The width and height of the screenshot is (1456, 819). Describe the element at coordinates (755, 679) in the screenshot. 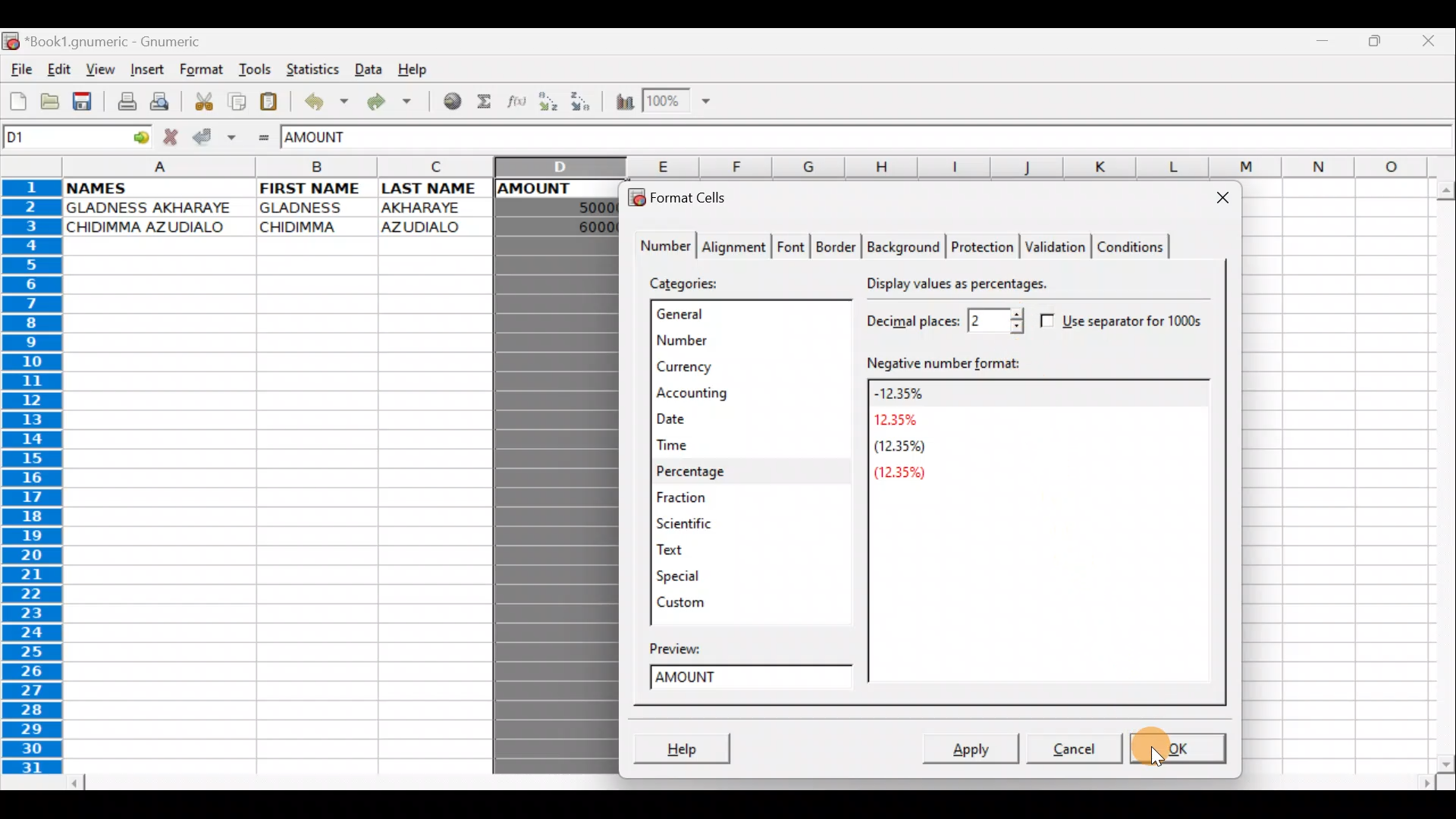

I see `Amount` at that location.